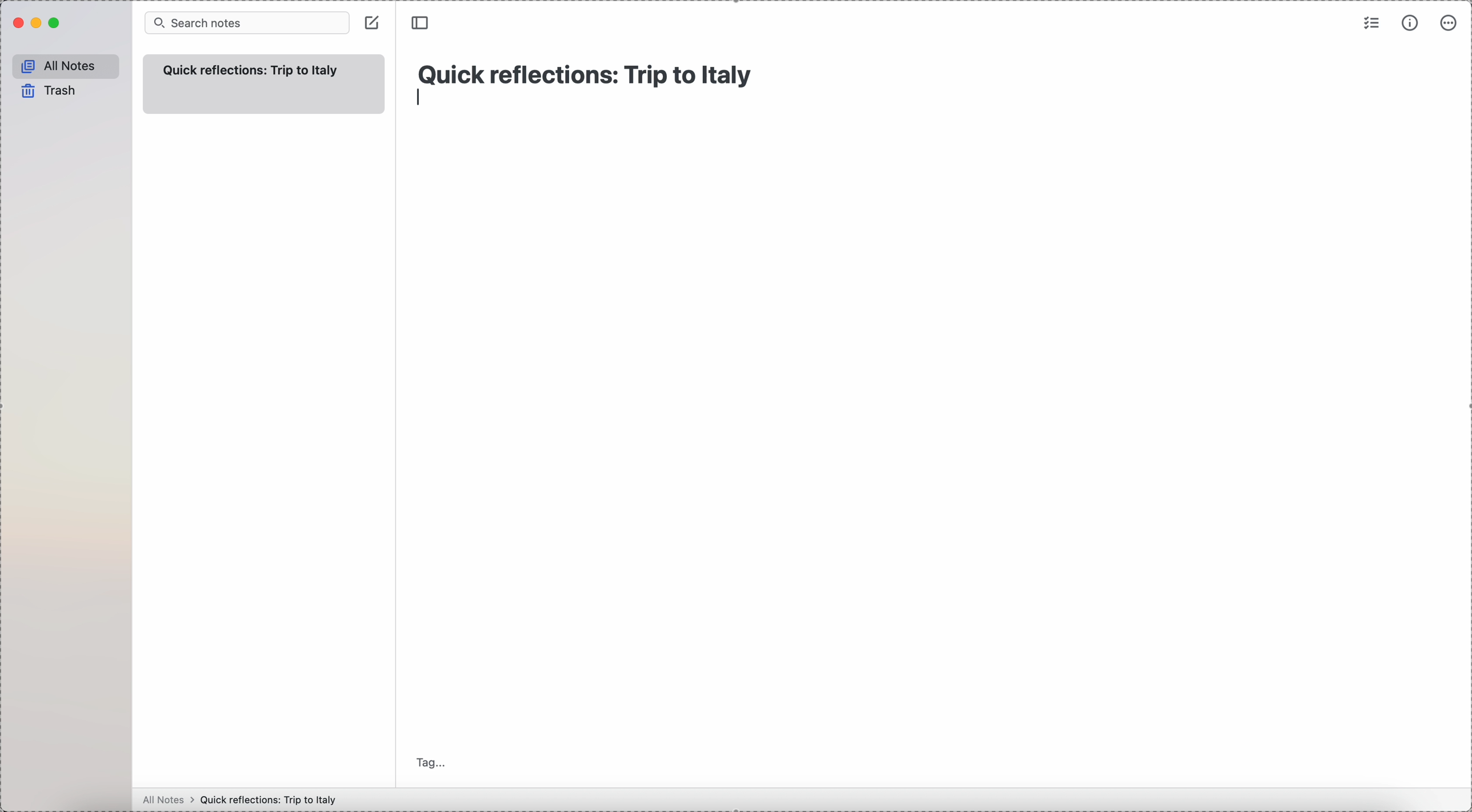 Image resolution: width=1472 pixels, height=812 pixels. I want to click on tag, so click(431, 762).